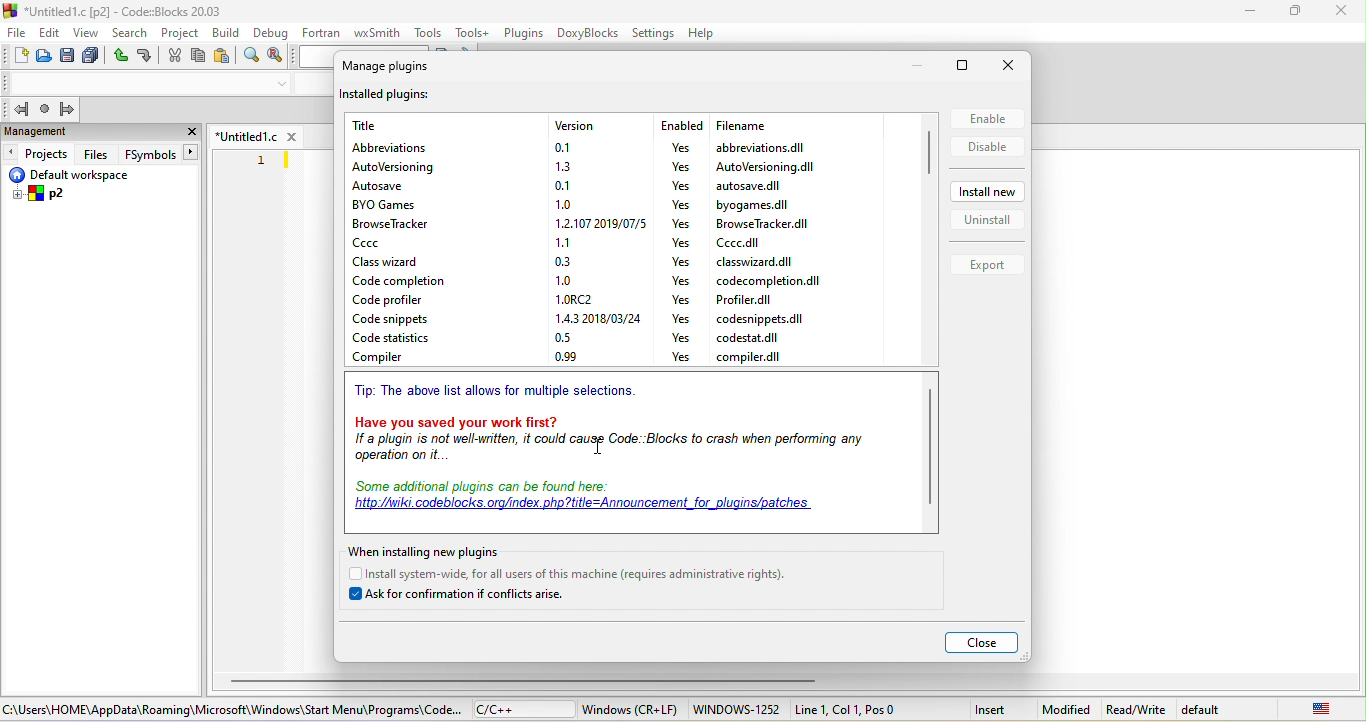 This screenshot has width=1366, height=722. What do you see at coordinates (386, 97) in the screenshot?
I see `installed plugins` at bounding box center [386, 97].